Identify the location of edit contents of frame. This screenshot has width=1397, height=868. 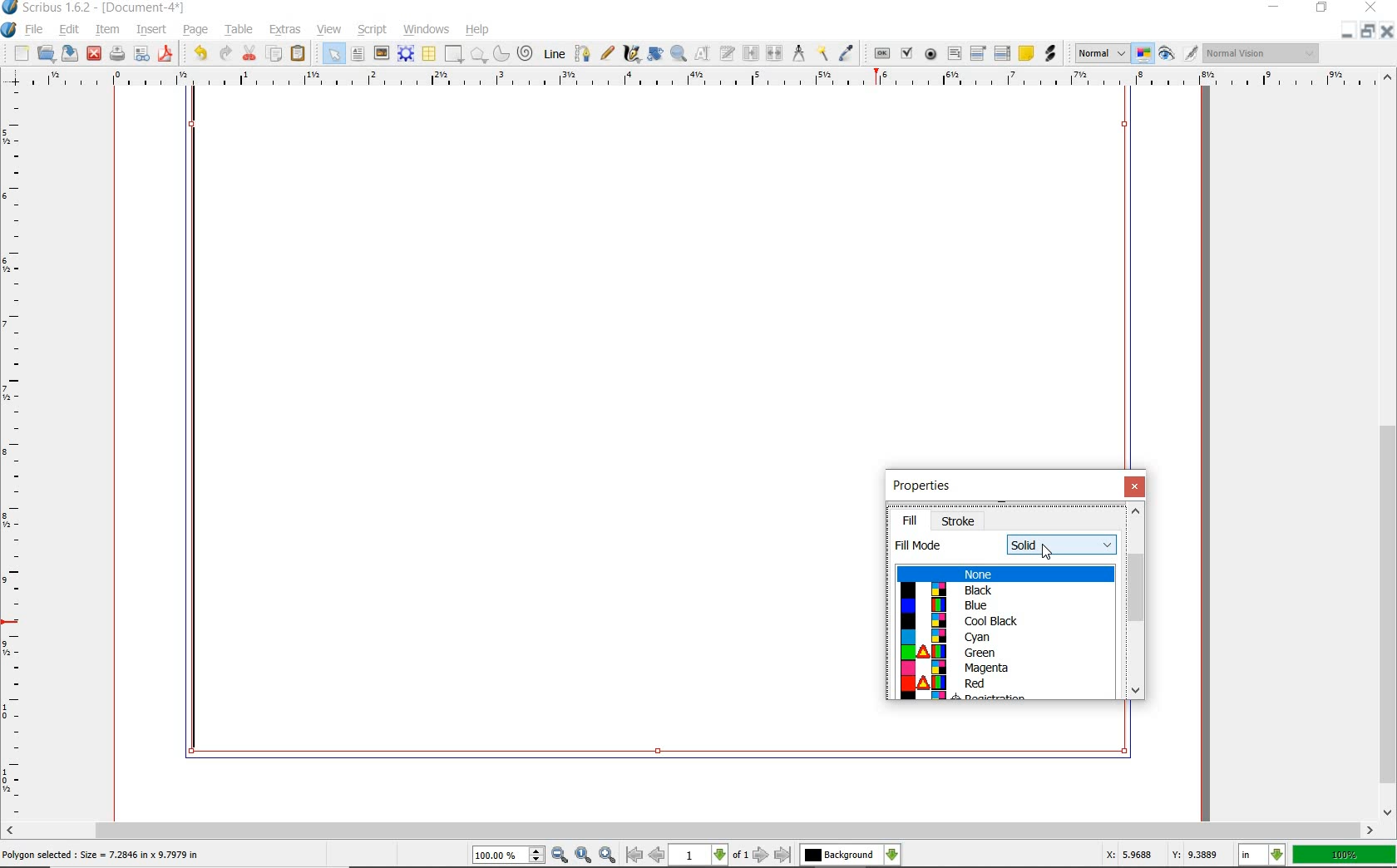
(701, 53).